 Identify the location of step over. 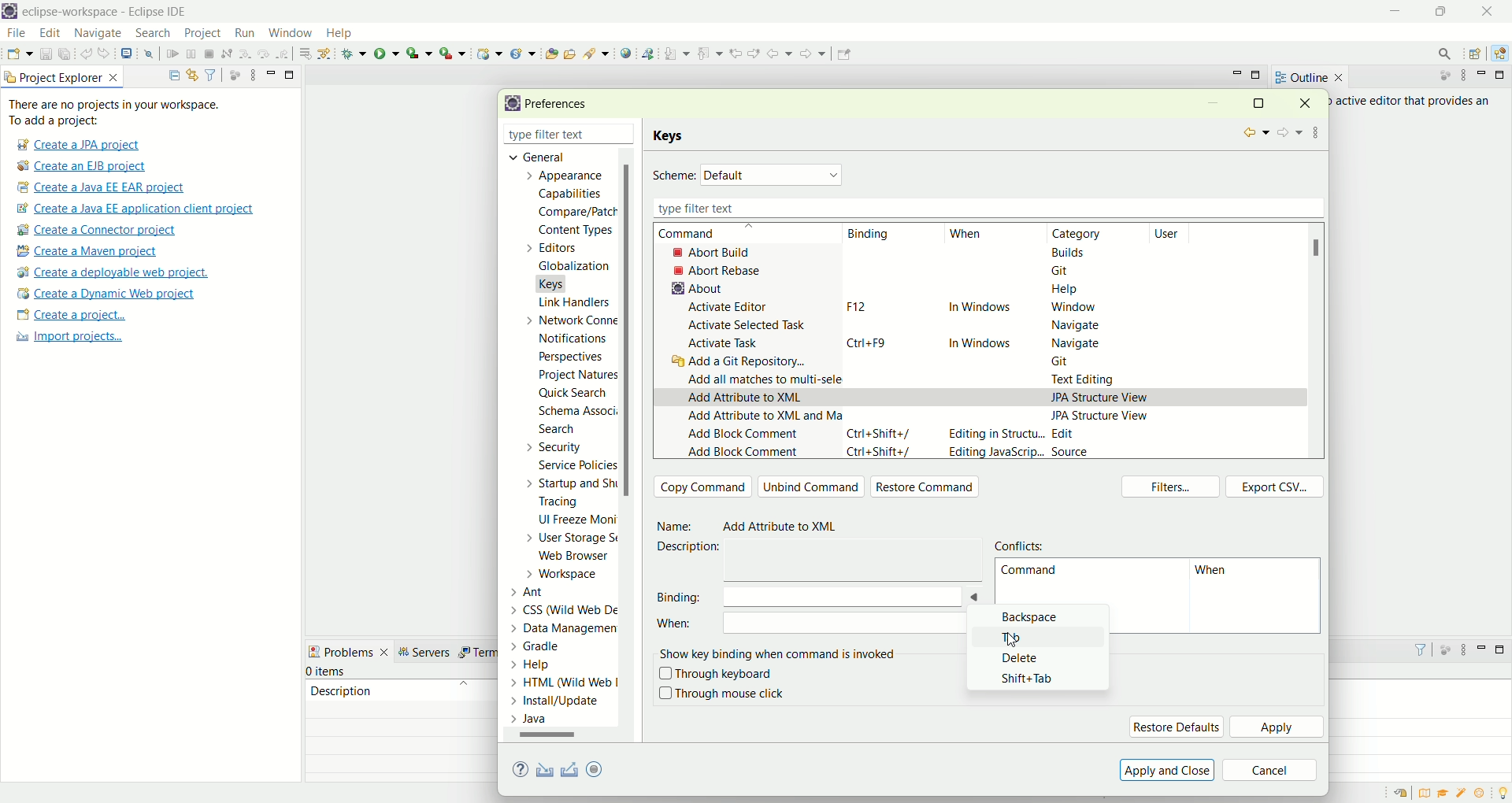
(264, 53).